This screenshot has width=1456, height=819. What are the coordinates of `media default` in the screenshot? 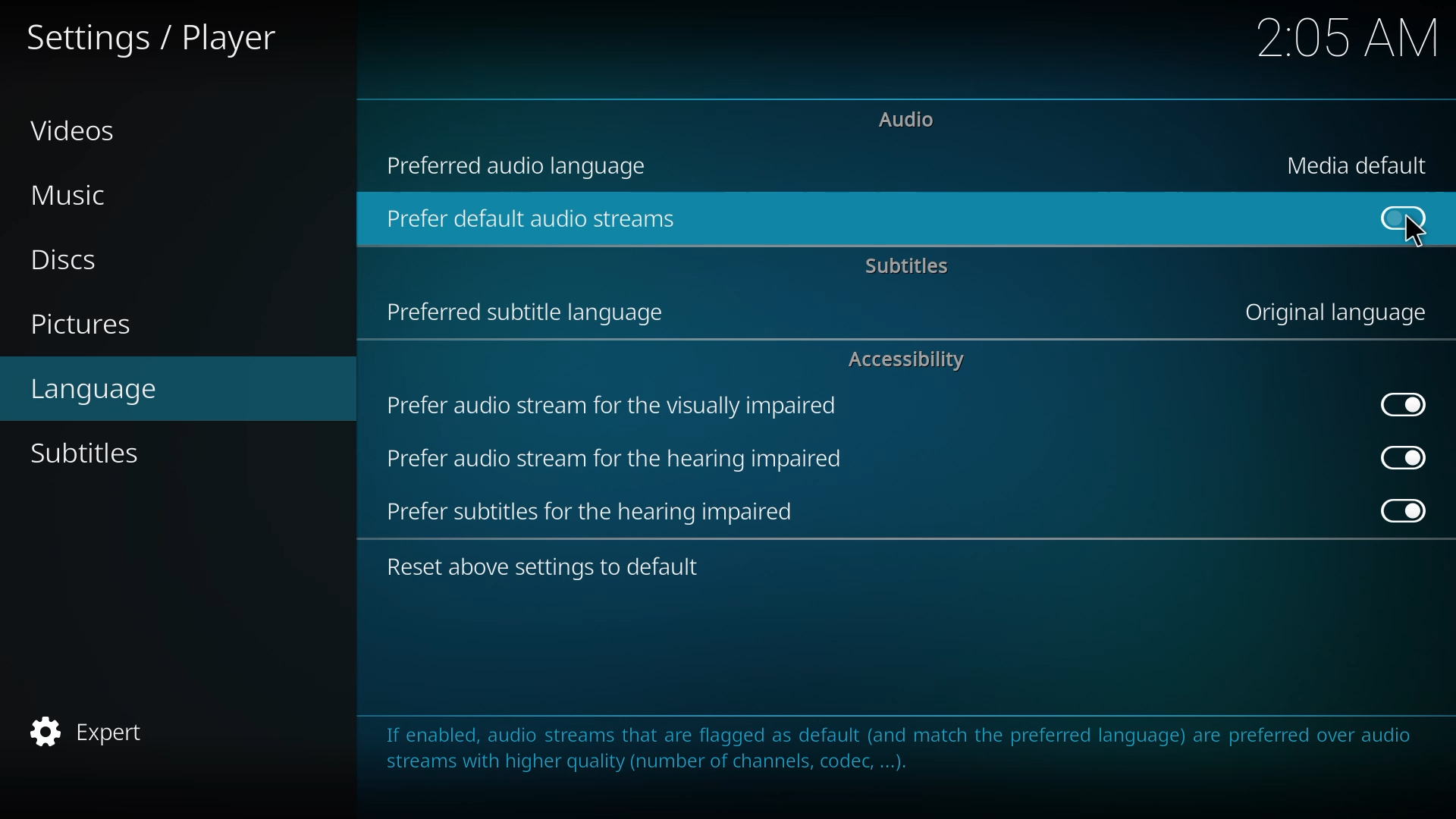 It's located at (1360, 165).